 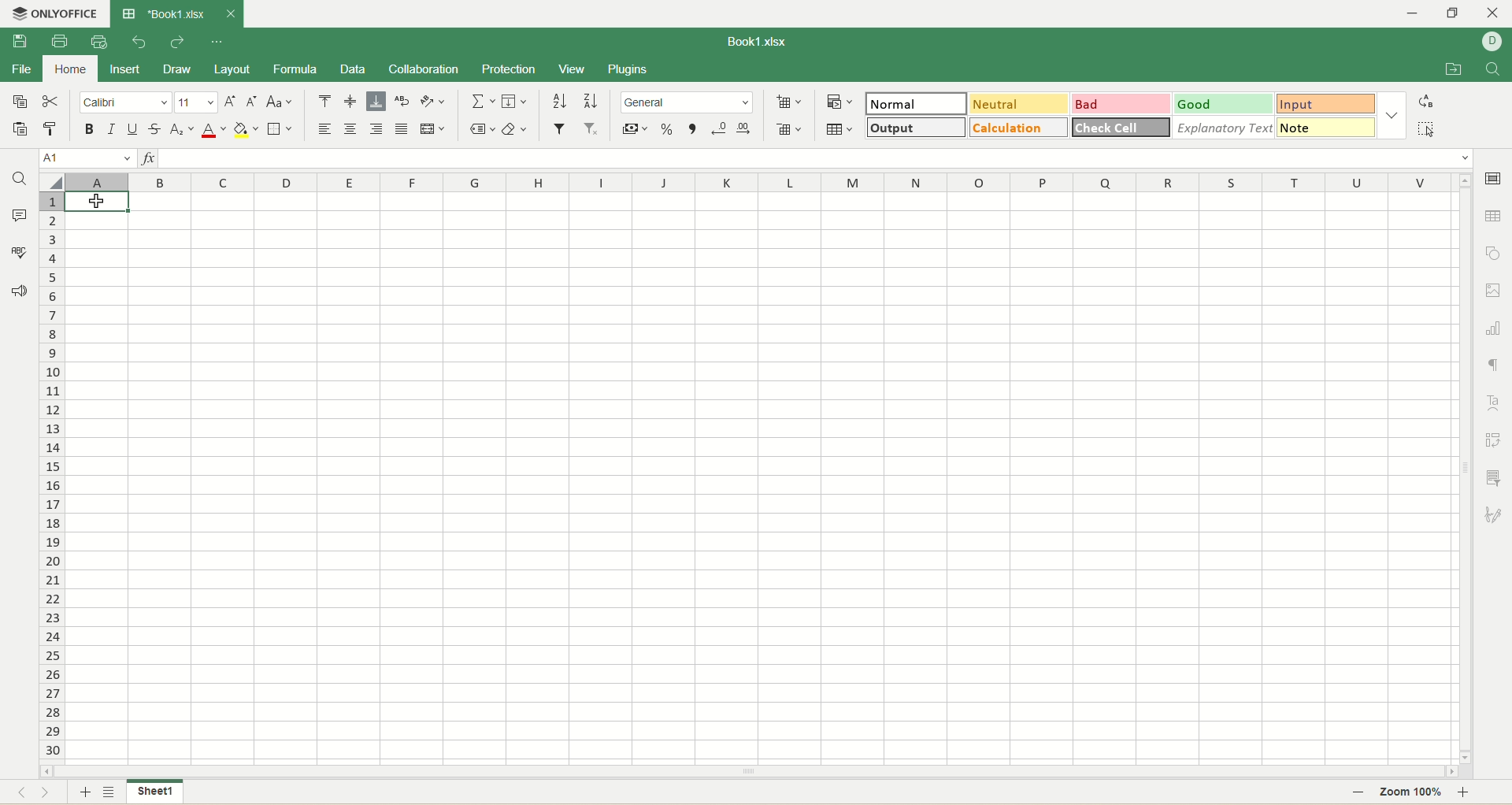 I want to click on quick print, so click(x=99, y=42).